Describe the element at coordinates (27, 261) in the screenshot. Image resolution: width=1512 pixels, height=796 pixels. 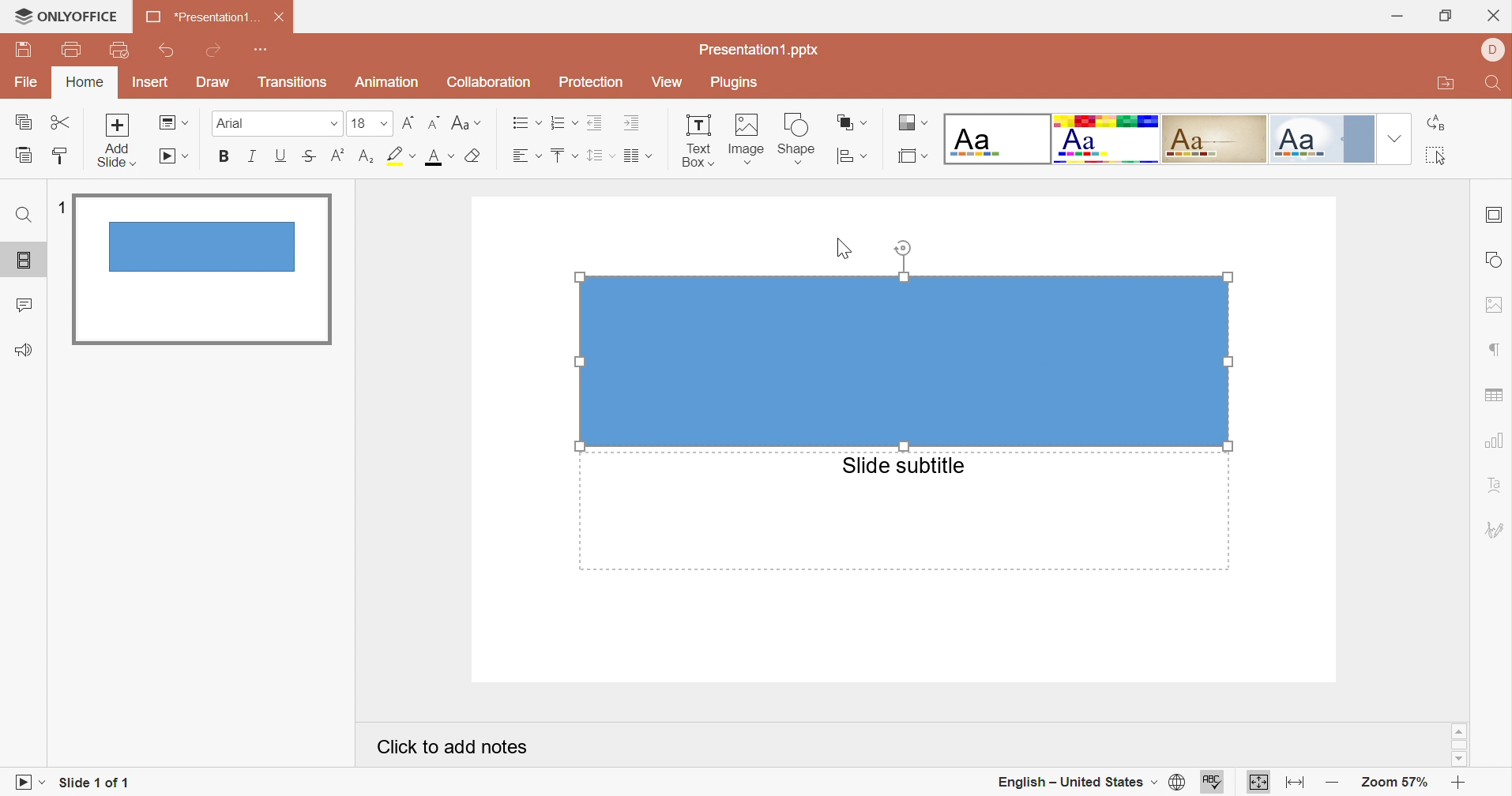
I see `Slides` at that location.